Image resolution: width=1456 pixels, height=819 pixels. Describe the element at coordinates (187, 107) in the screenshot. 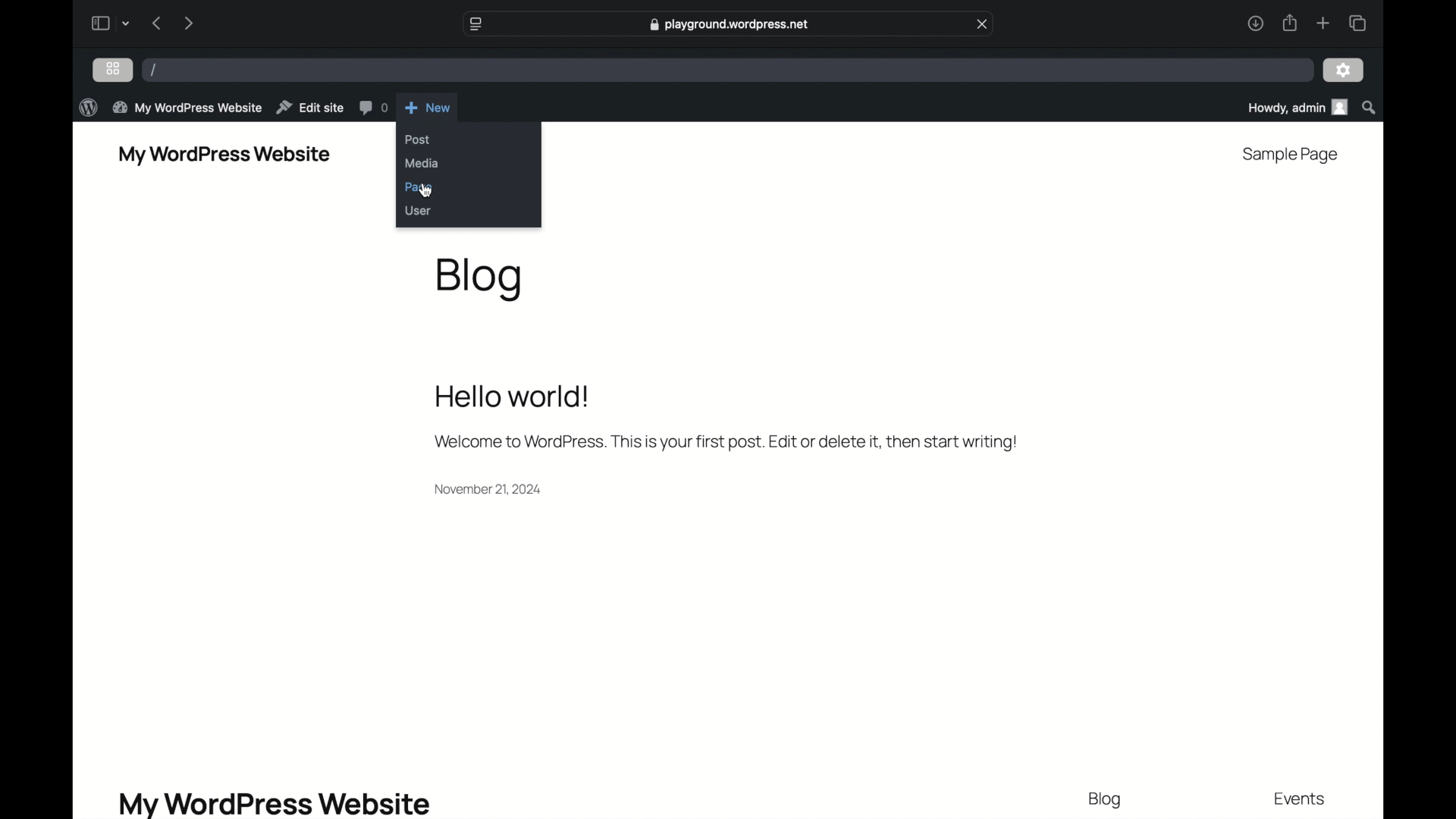

I see `my wordpress website` at that location.